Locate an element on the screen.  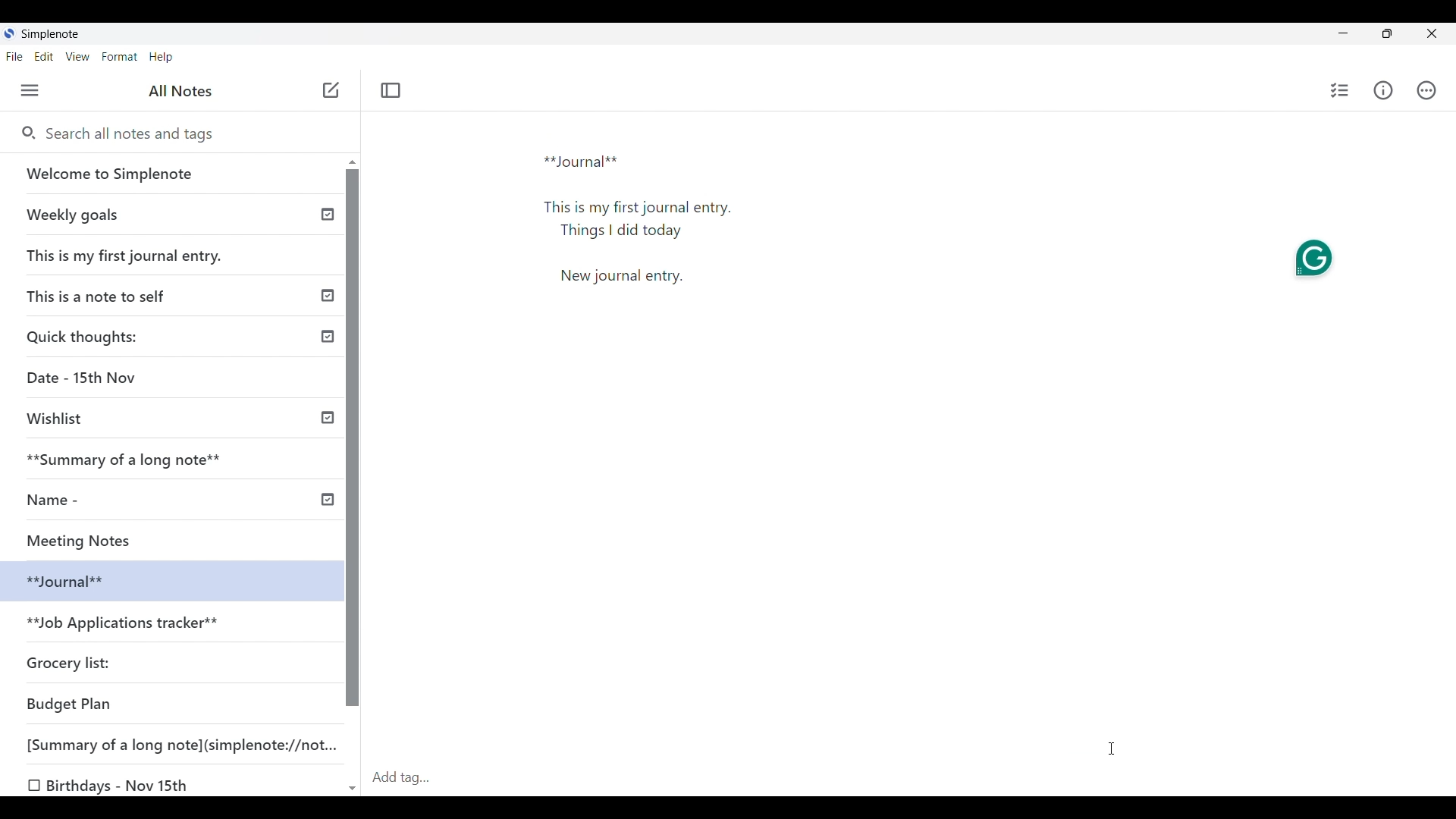
Insert checklist is located at coordinates (1341, 90).